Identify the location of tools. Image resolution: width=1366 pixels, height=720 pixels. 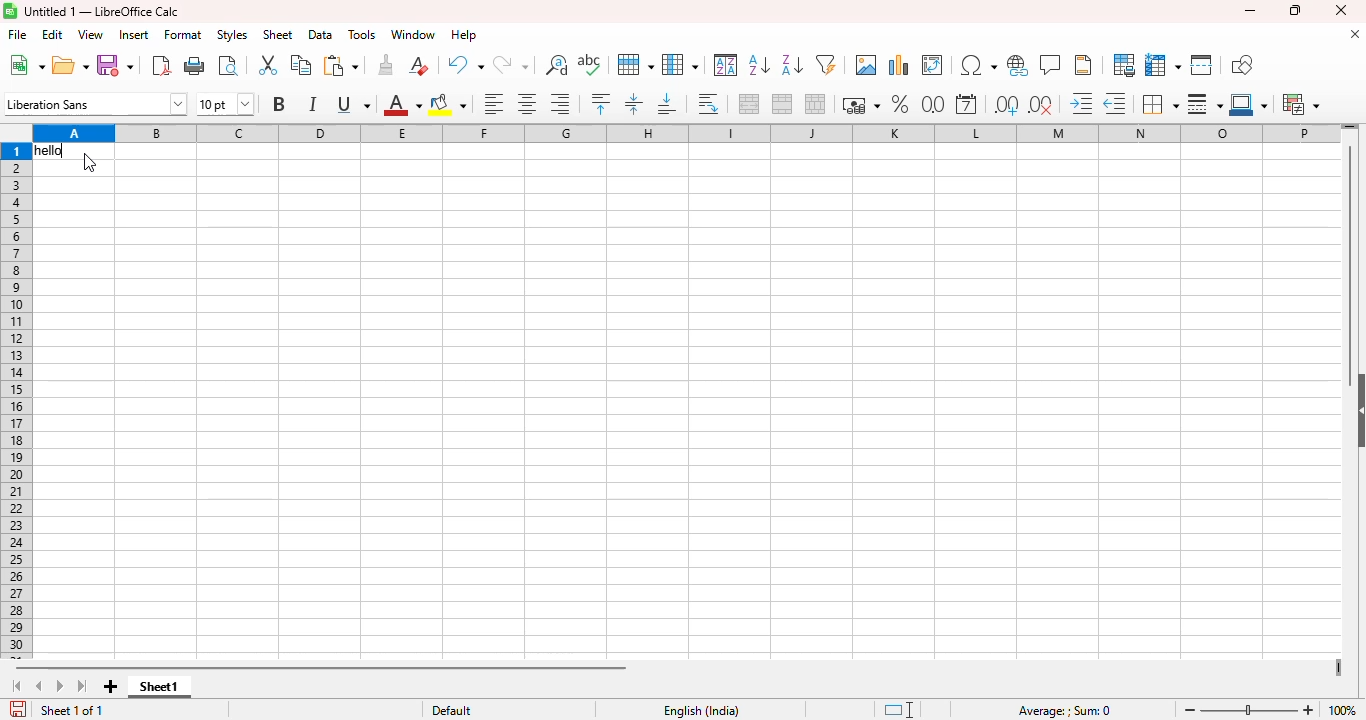
(362, 35).